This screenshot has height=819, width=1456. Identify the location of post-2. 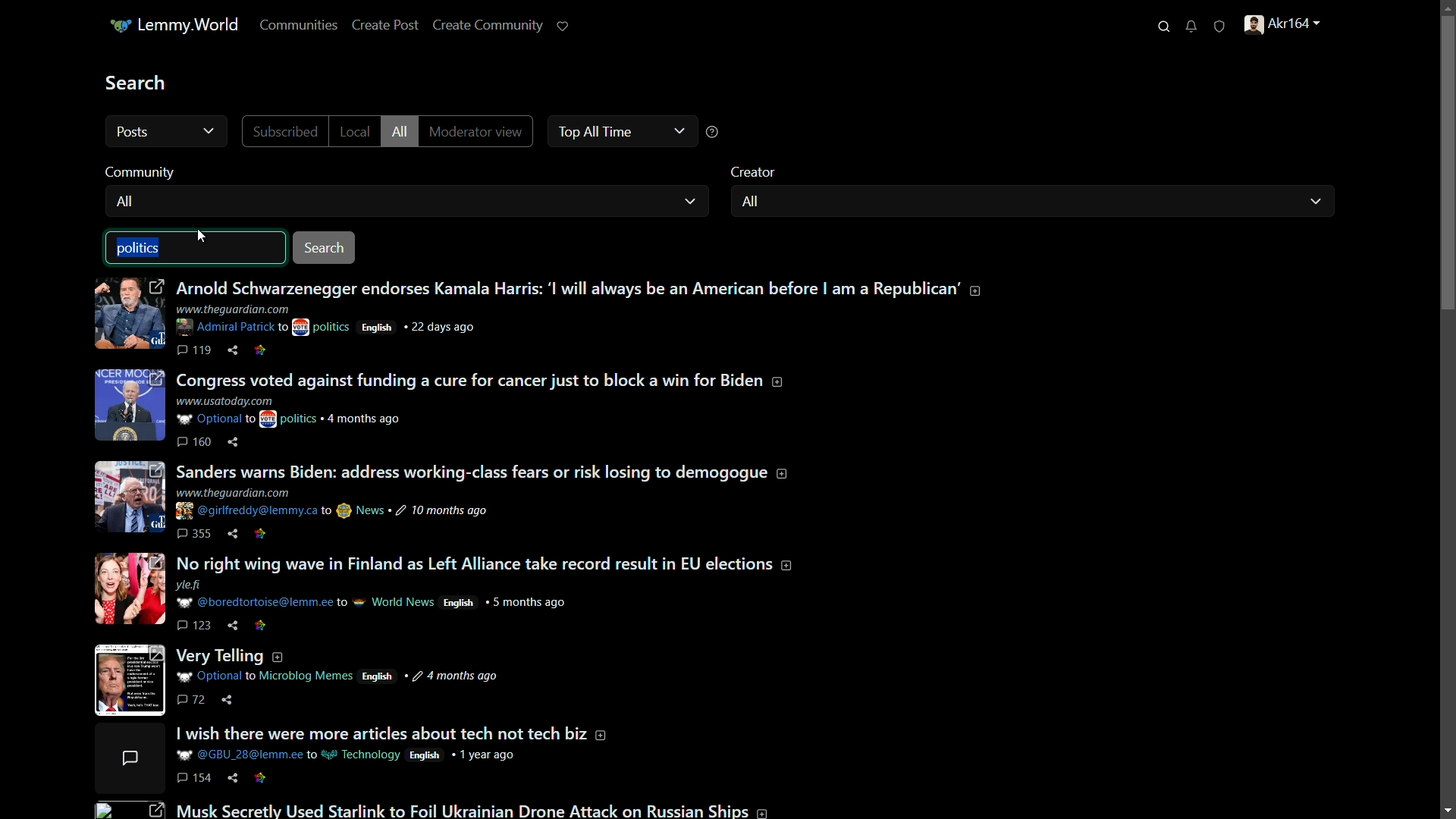
(442, 408).